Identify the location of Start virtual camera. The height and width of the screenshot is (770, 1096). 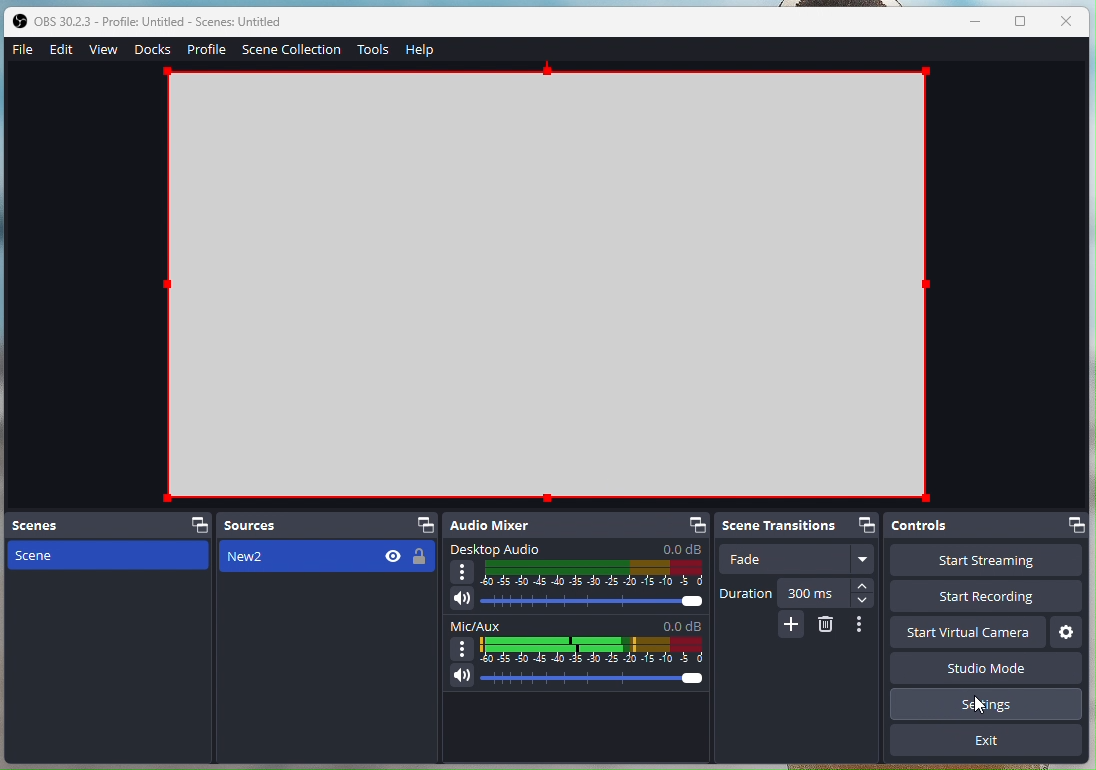
(968, 632).